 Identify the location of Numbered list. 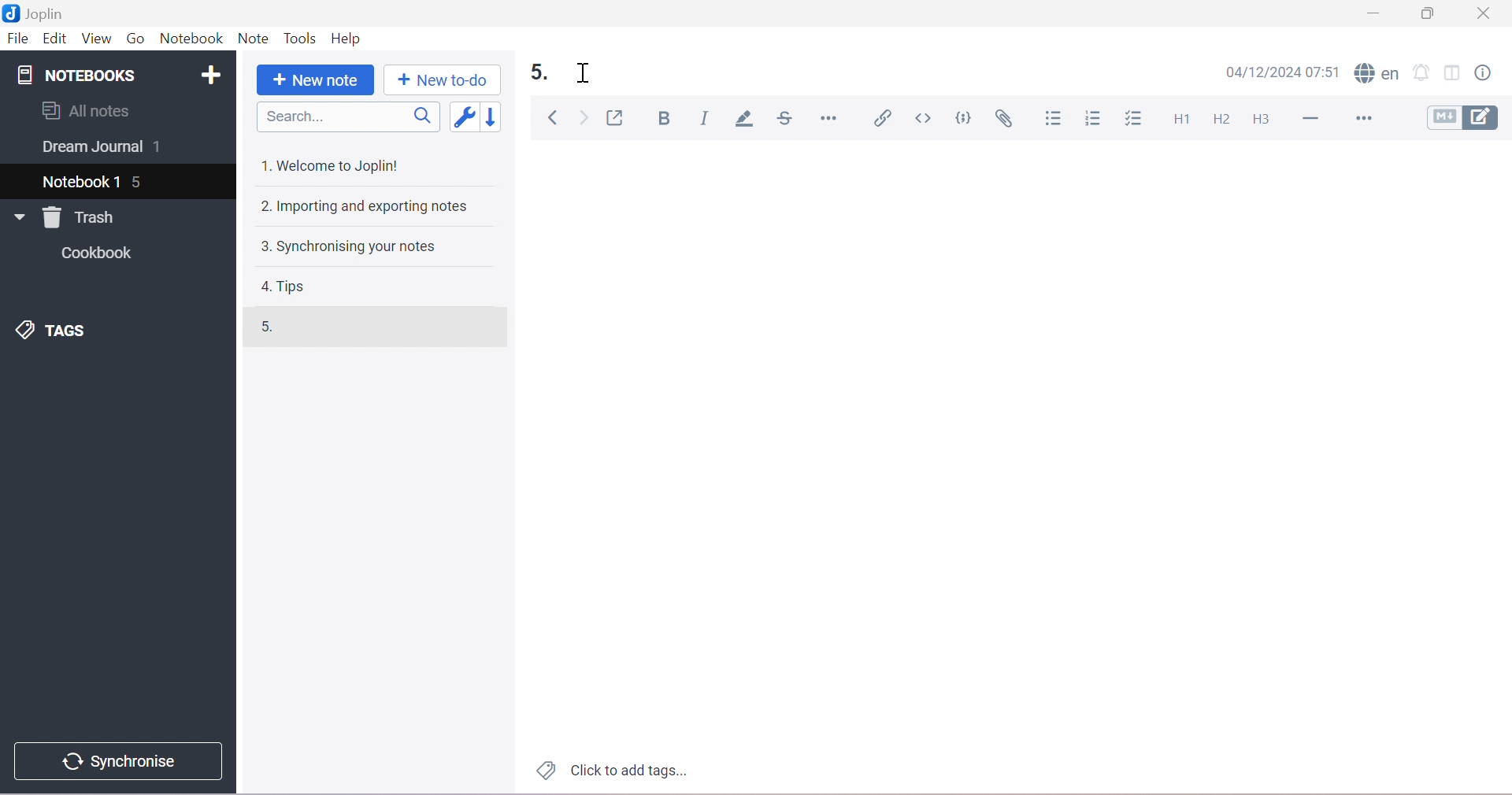
(1094, 120).